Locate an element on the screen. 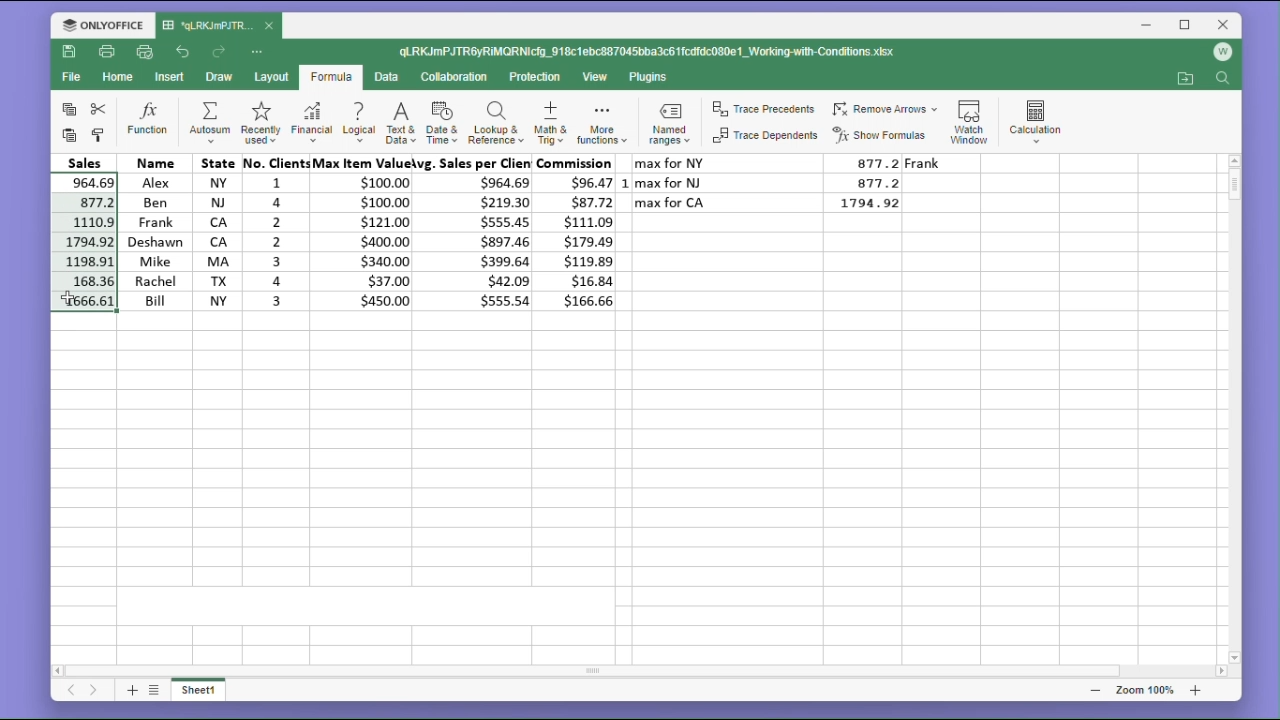 This screenshot has width=1280, height=720. plugins is located at coordinates (649, 77).